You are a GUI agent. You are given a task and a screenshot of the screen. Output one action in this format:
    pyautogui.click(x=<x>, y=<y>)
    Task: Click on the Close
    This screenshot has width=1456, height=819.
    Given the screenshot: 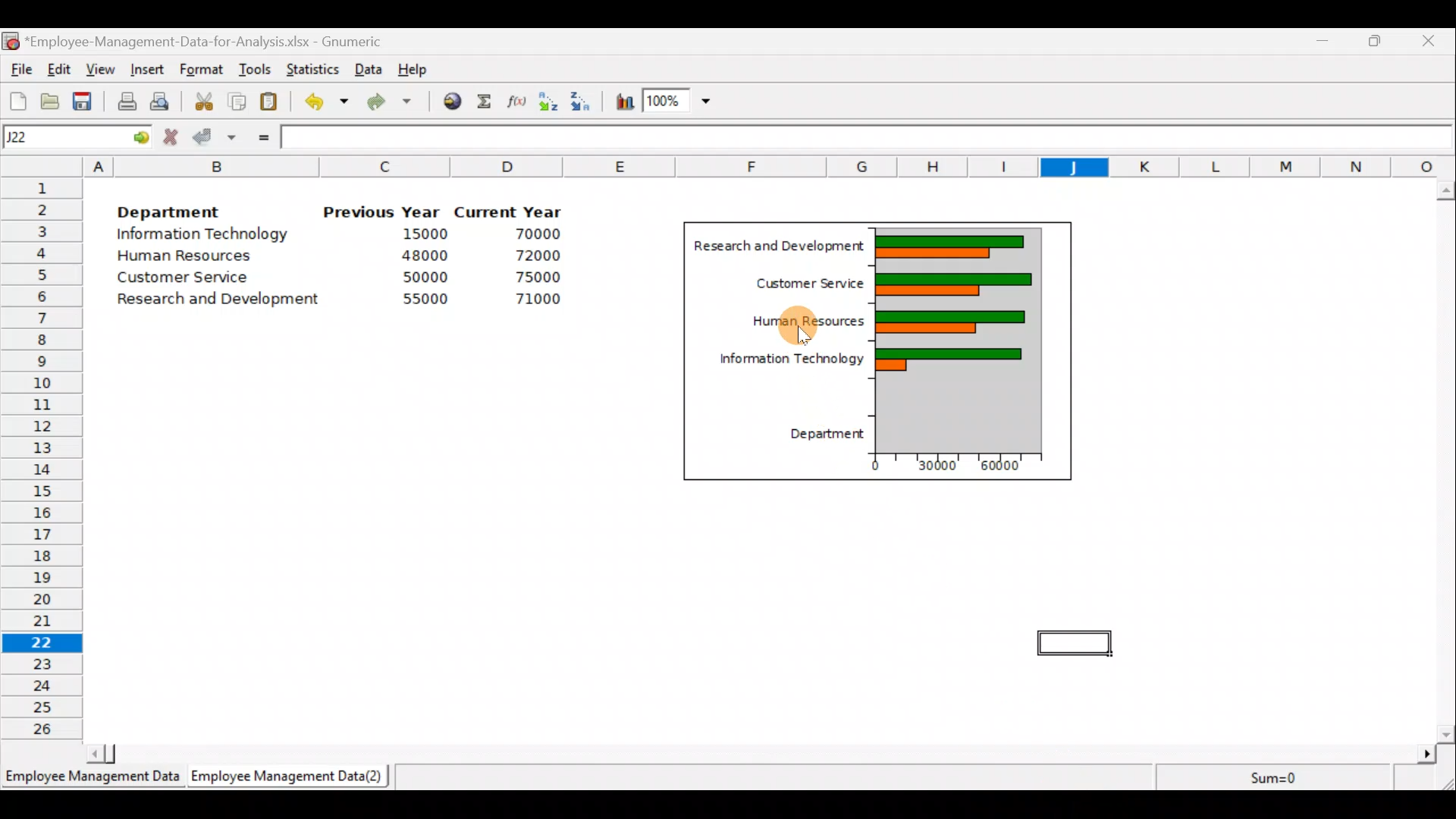 What is the action you would take?
    pyautogui.click(x=1432, y=45)
    